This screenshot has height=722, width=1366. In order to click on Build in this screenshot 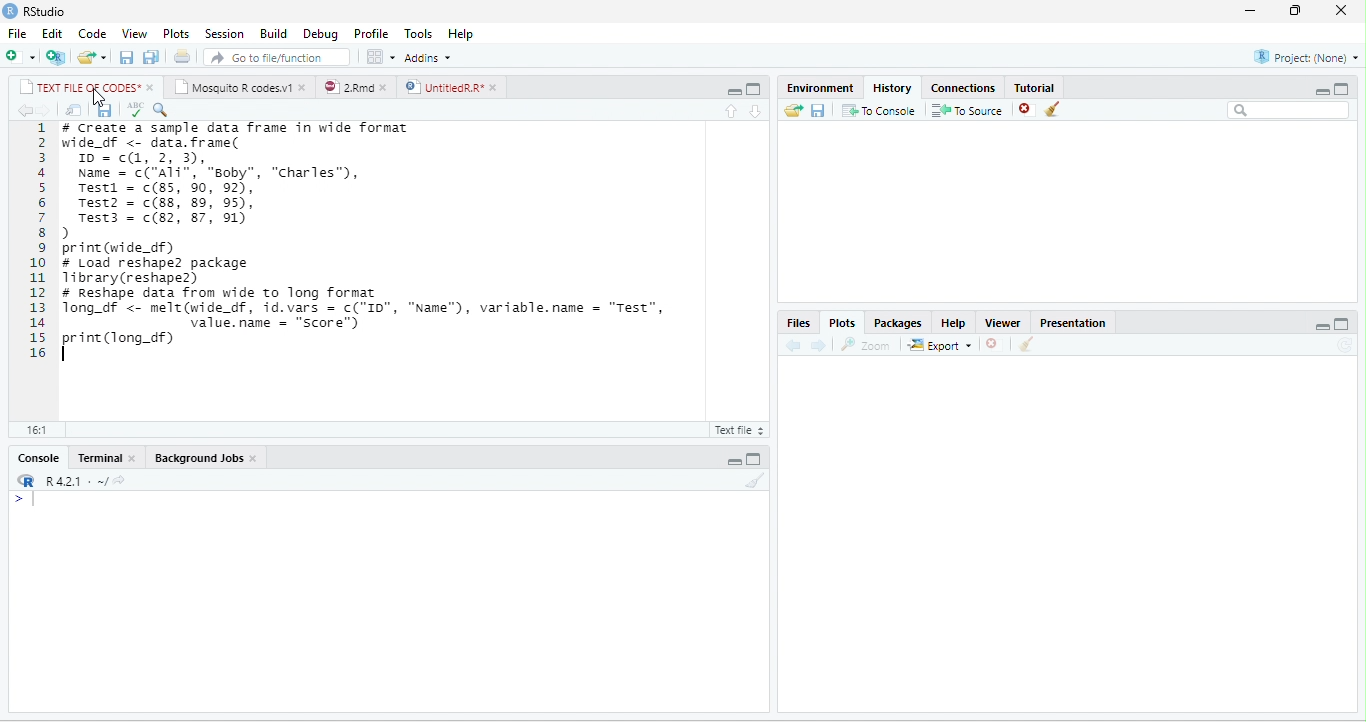, I will do `click(273, 34)`.